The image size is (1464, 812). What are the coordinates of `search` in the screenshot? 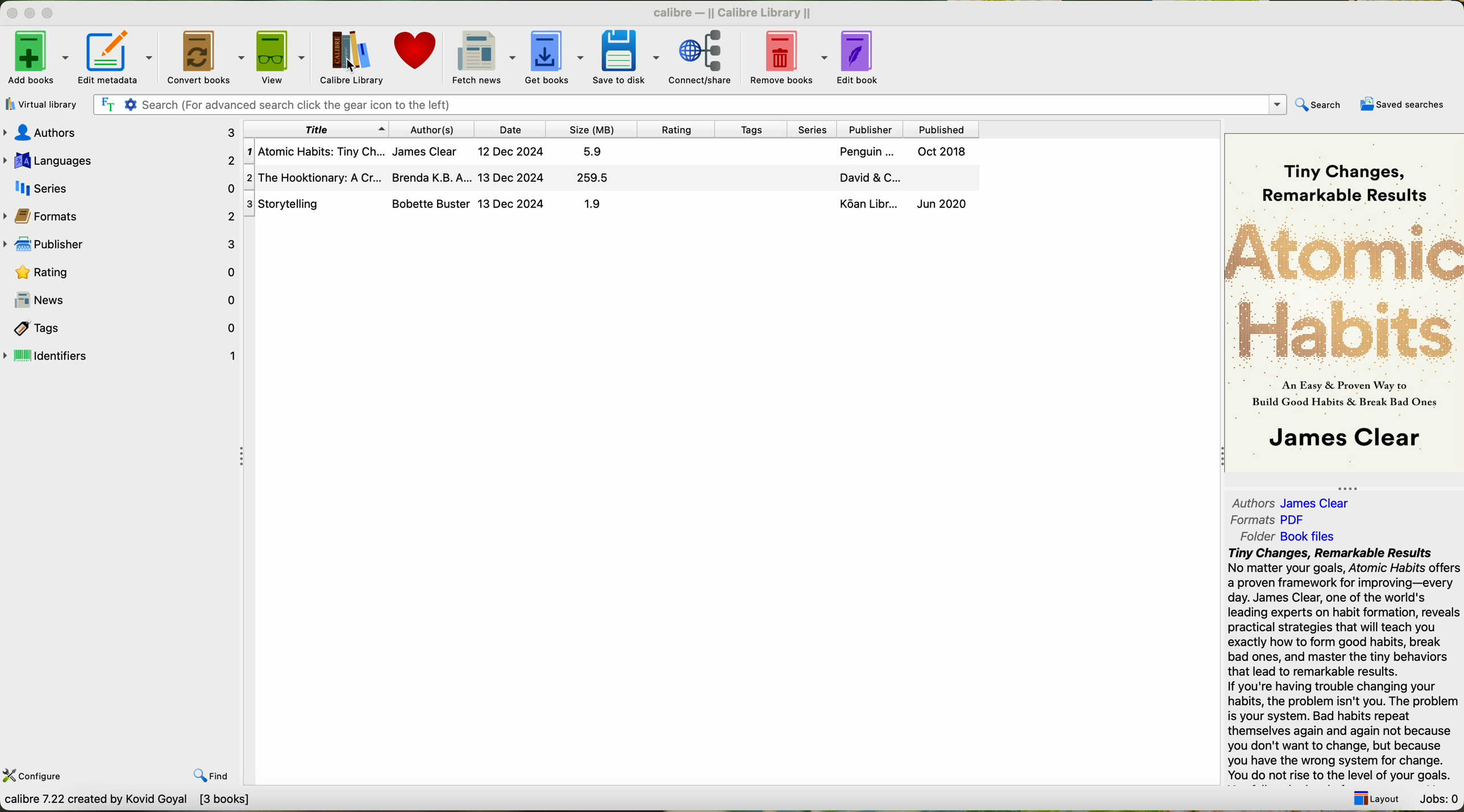 It's located at (1320, 105).